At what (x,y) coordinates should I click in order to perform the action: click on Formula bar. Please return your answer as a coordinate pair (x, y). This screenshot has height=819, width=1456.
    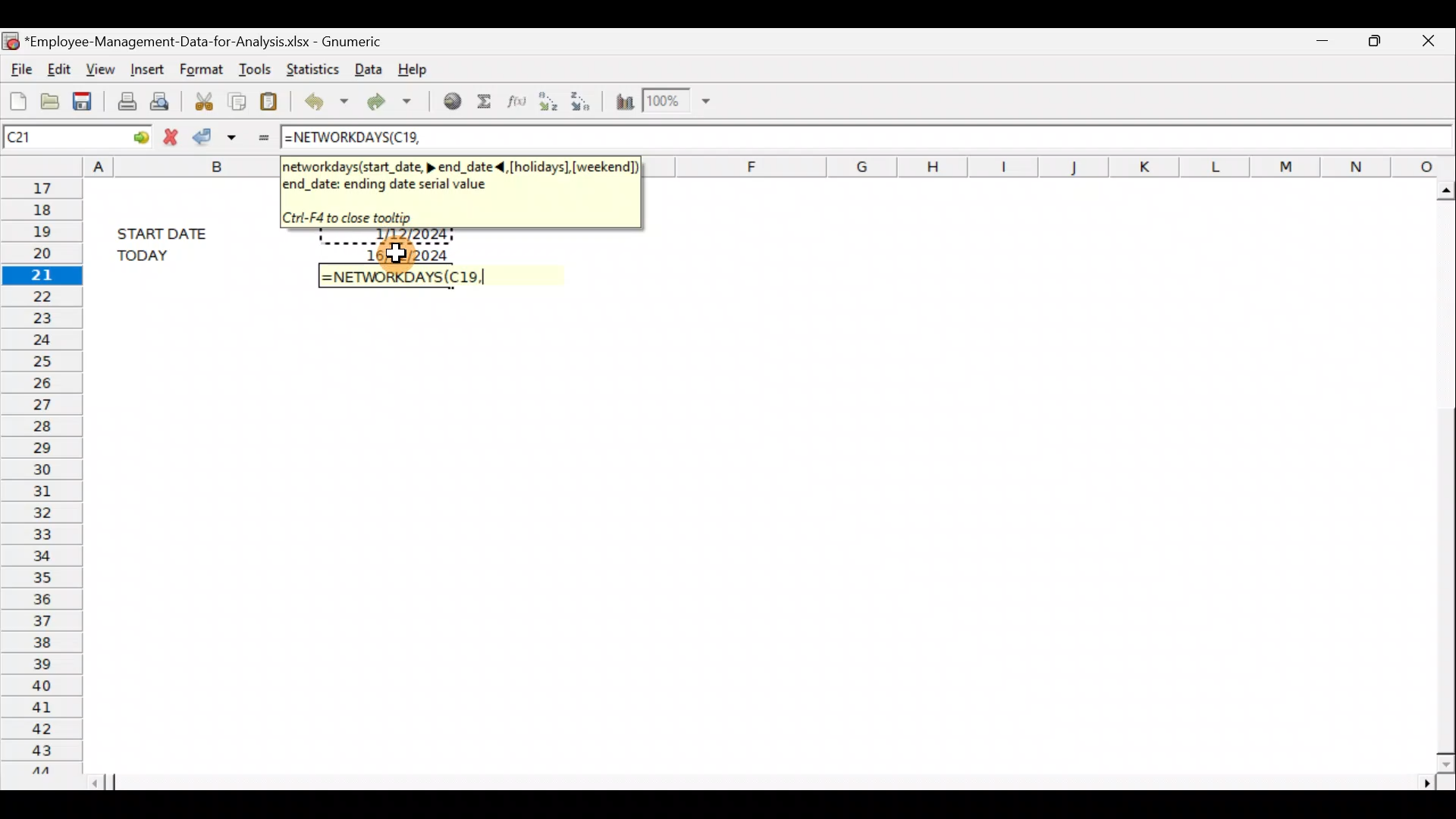
    Looking at the image, I should click on (938, 136).